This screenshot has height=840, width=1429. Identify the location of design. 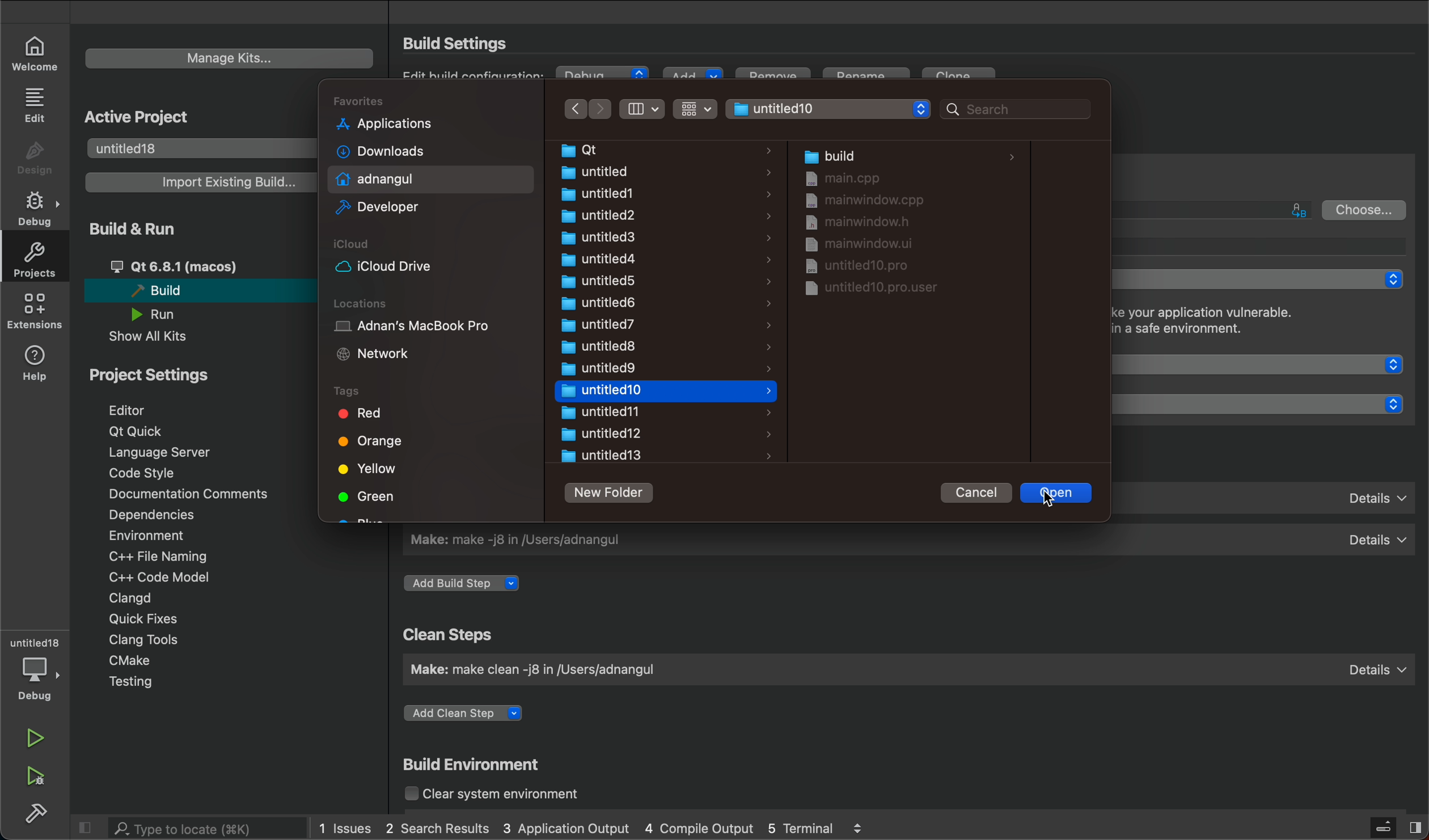
(33, 156).